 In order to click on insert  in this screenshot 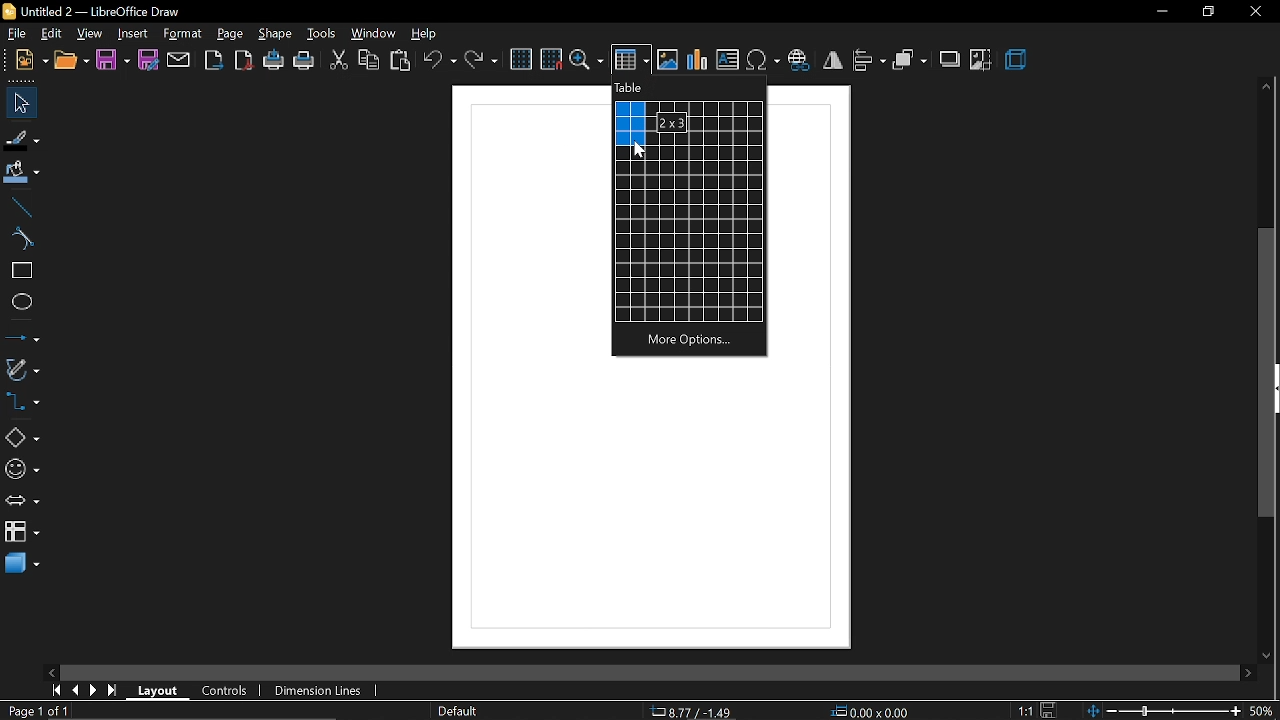, I will do `click(132, 33)`.